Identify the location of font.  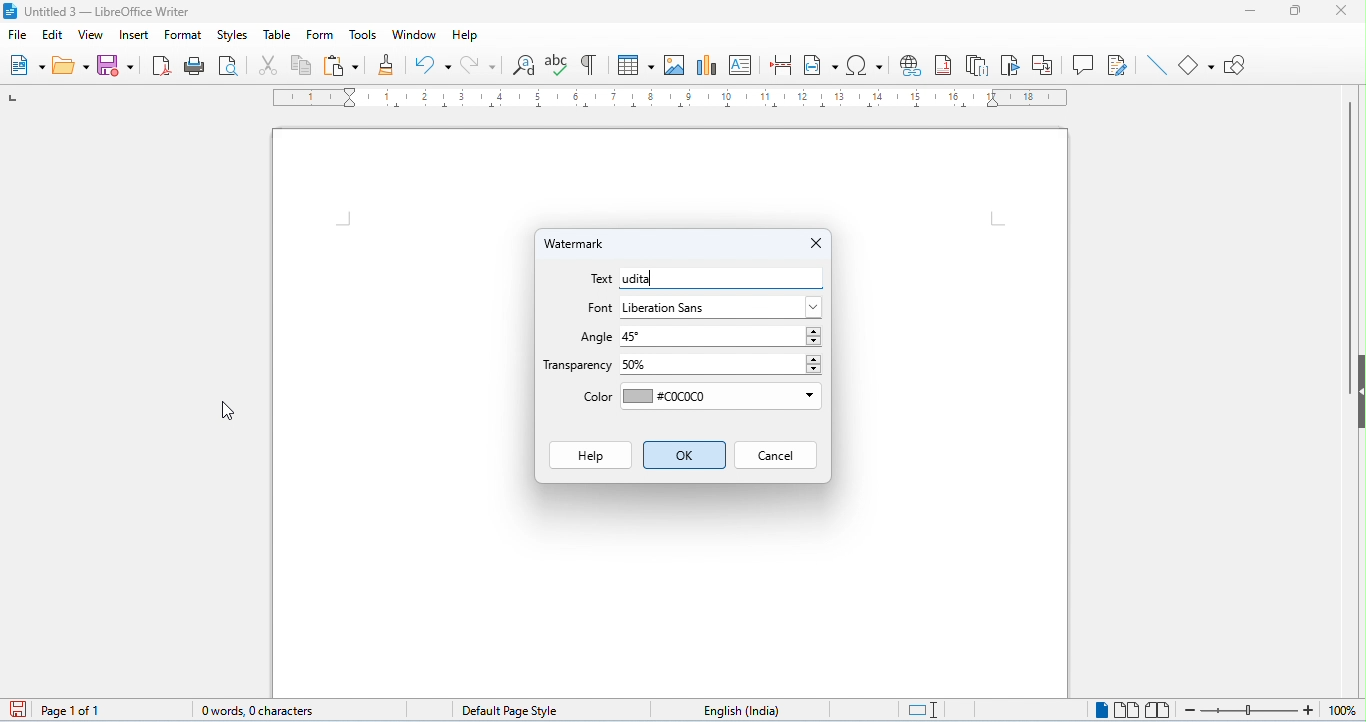
(599, 308).